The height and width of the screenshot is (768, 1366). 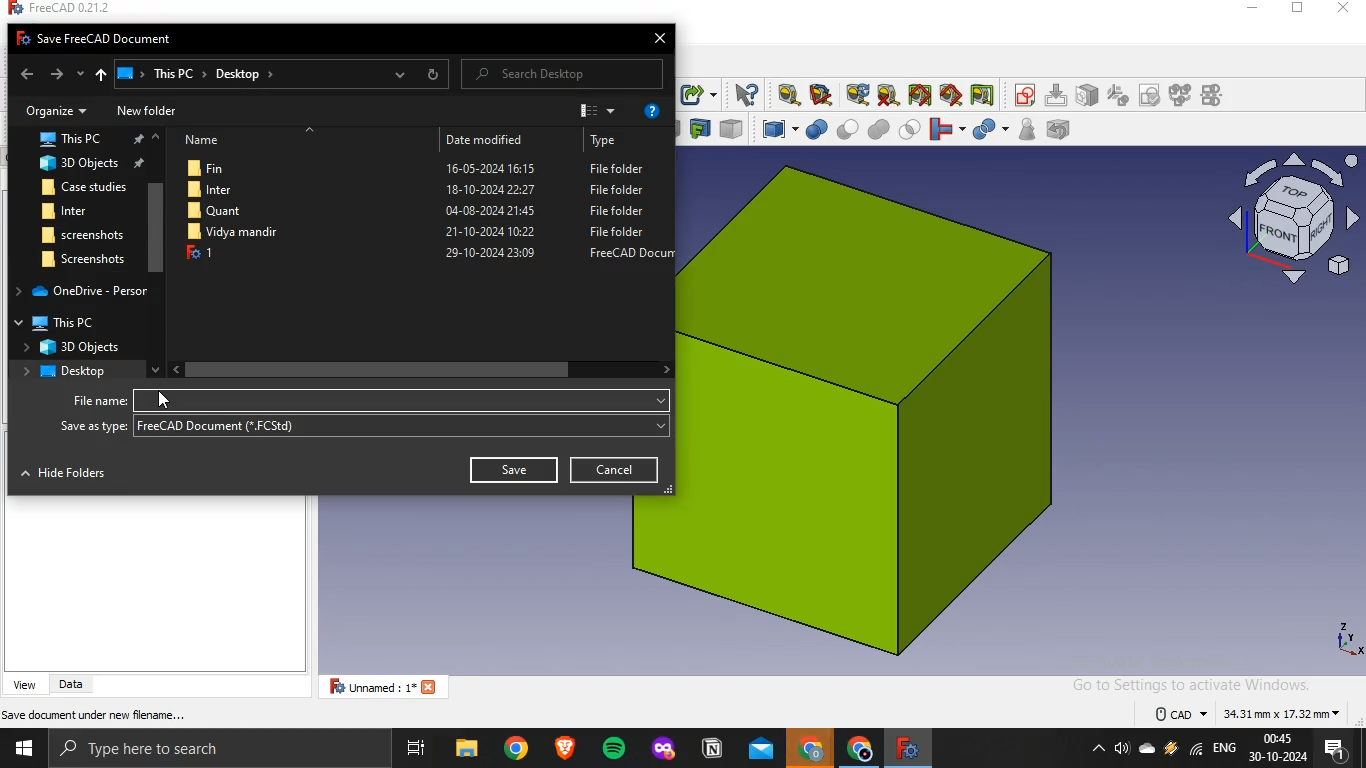 I want to click on Quant, so click(x=417, y=213).